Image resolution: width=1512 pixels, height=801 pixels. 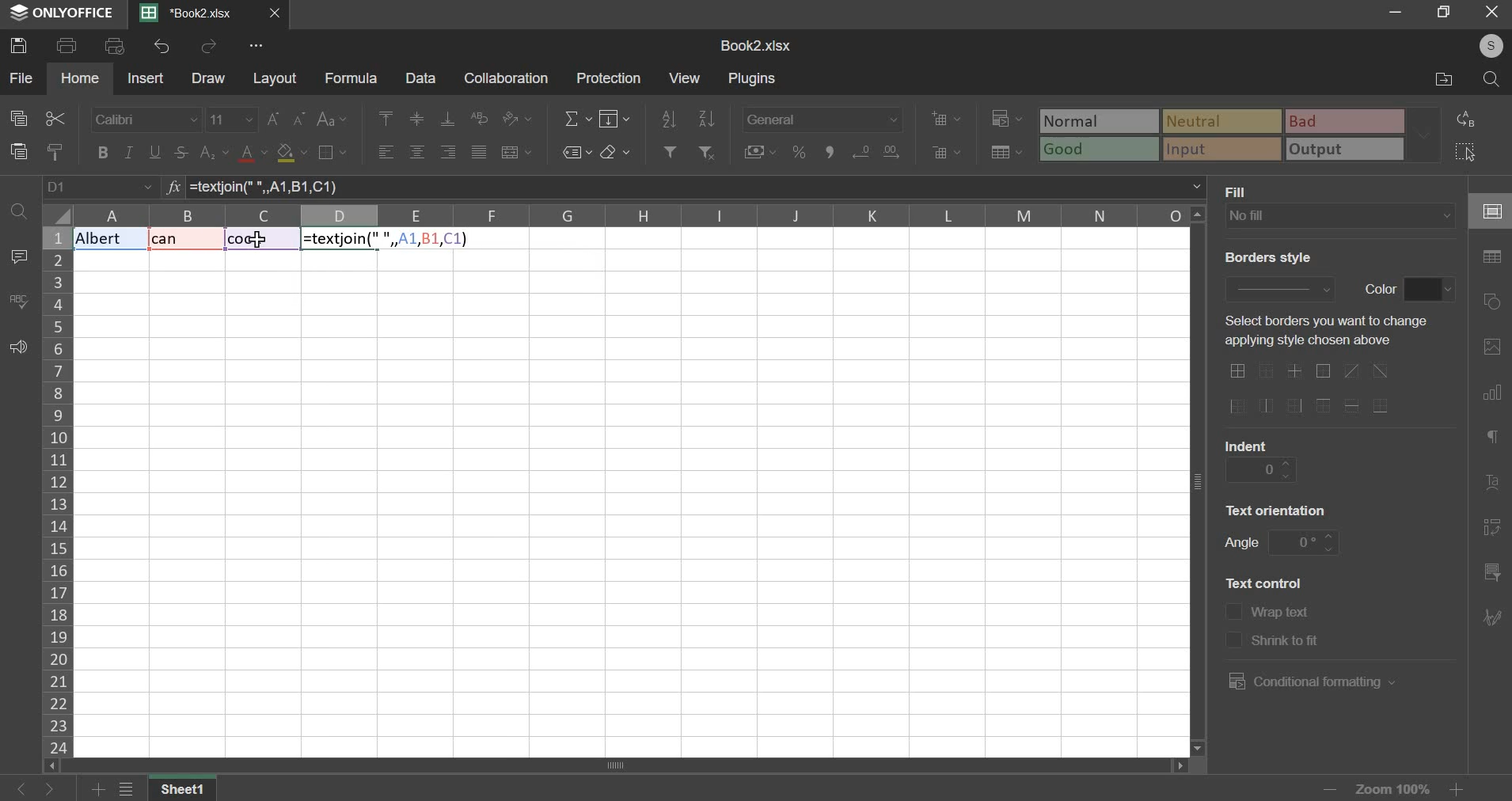 What do you see at coordinates (1391, 13) in the screenshot?
I see `minimize` at bounding box center [1391, 13].